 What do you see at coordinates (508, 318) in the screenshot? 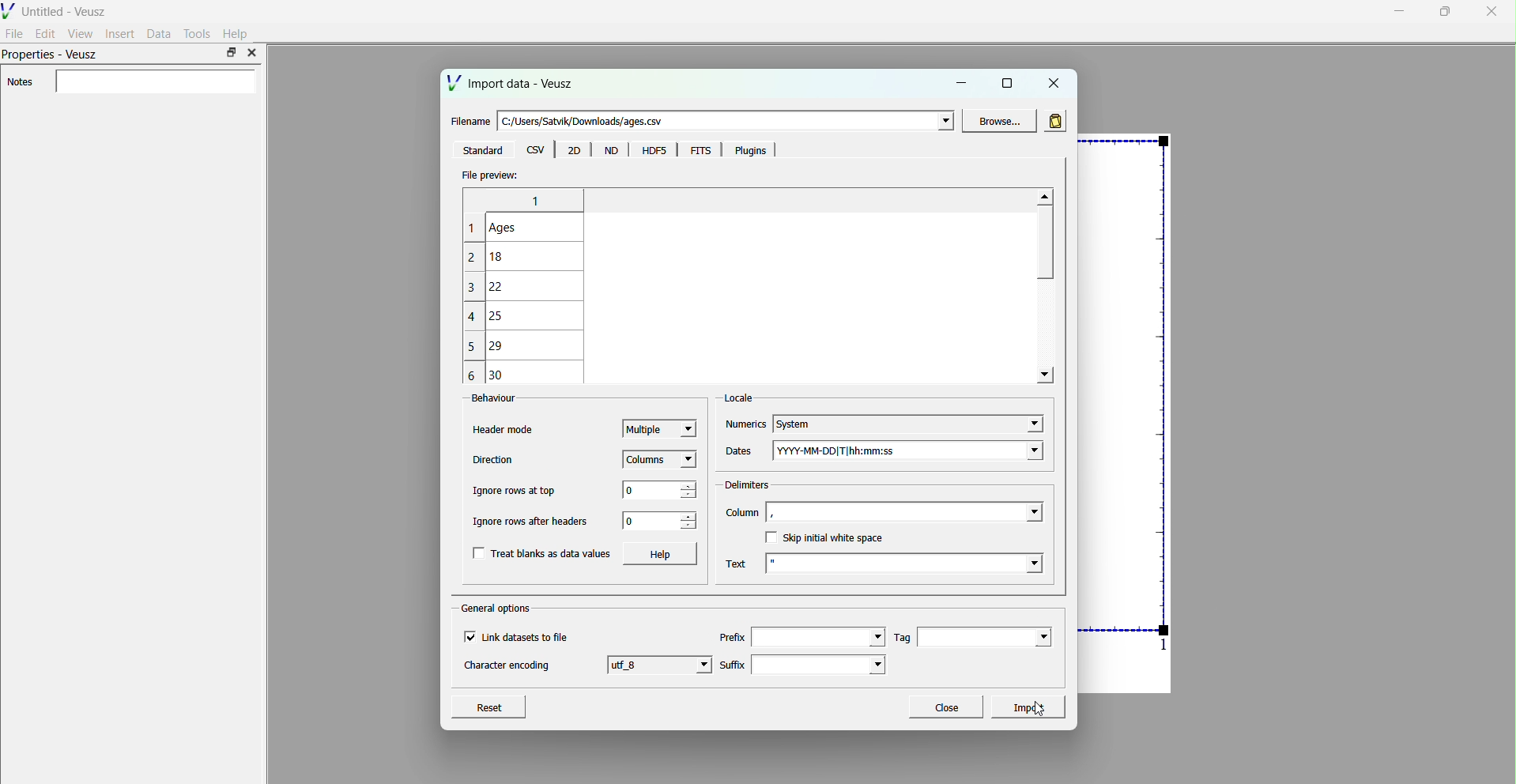
I see `25` at bounding box center [508, 318].